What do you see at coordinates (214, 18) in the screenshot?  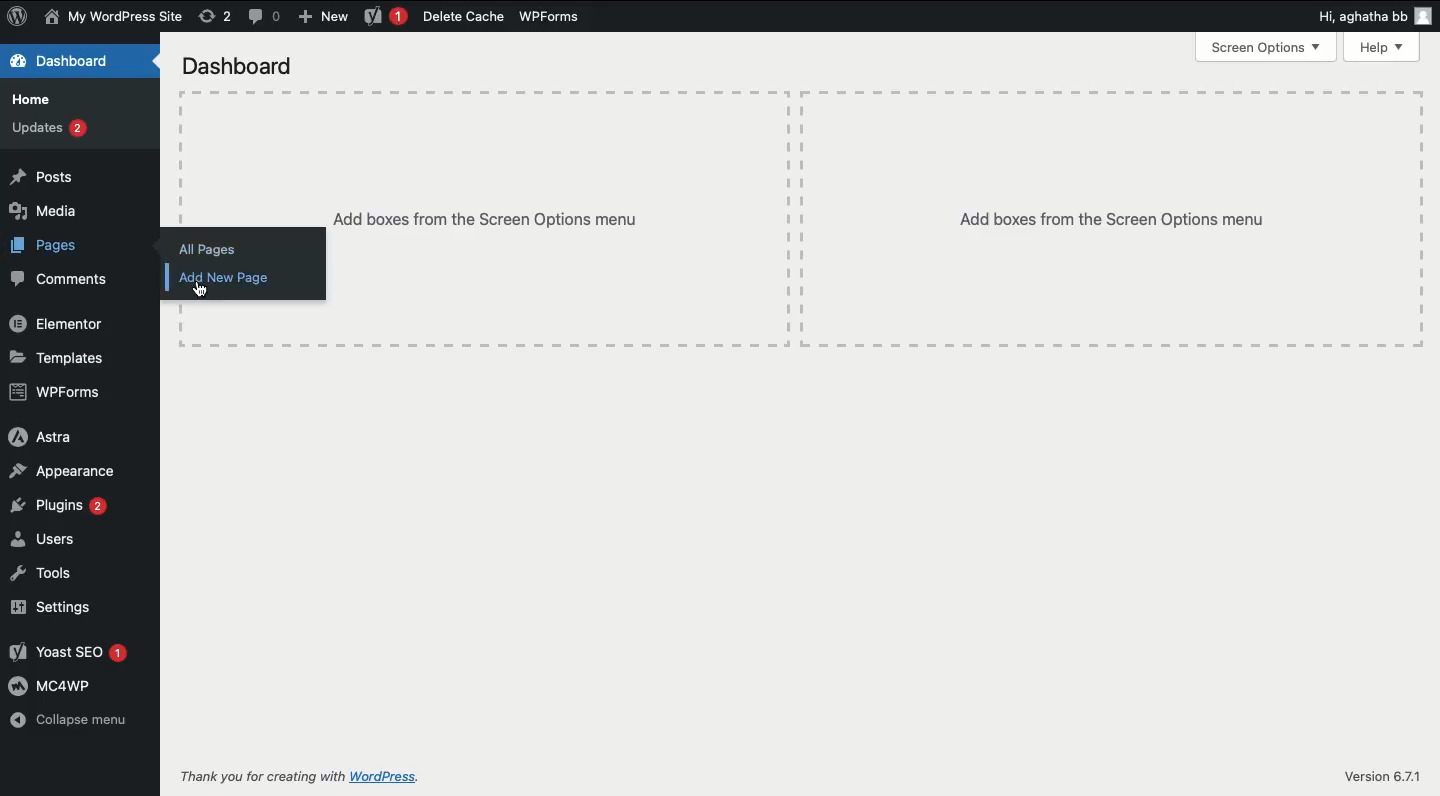 I see `Revision` at bounding box center [214, 18].